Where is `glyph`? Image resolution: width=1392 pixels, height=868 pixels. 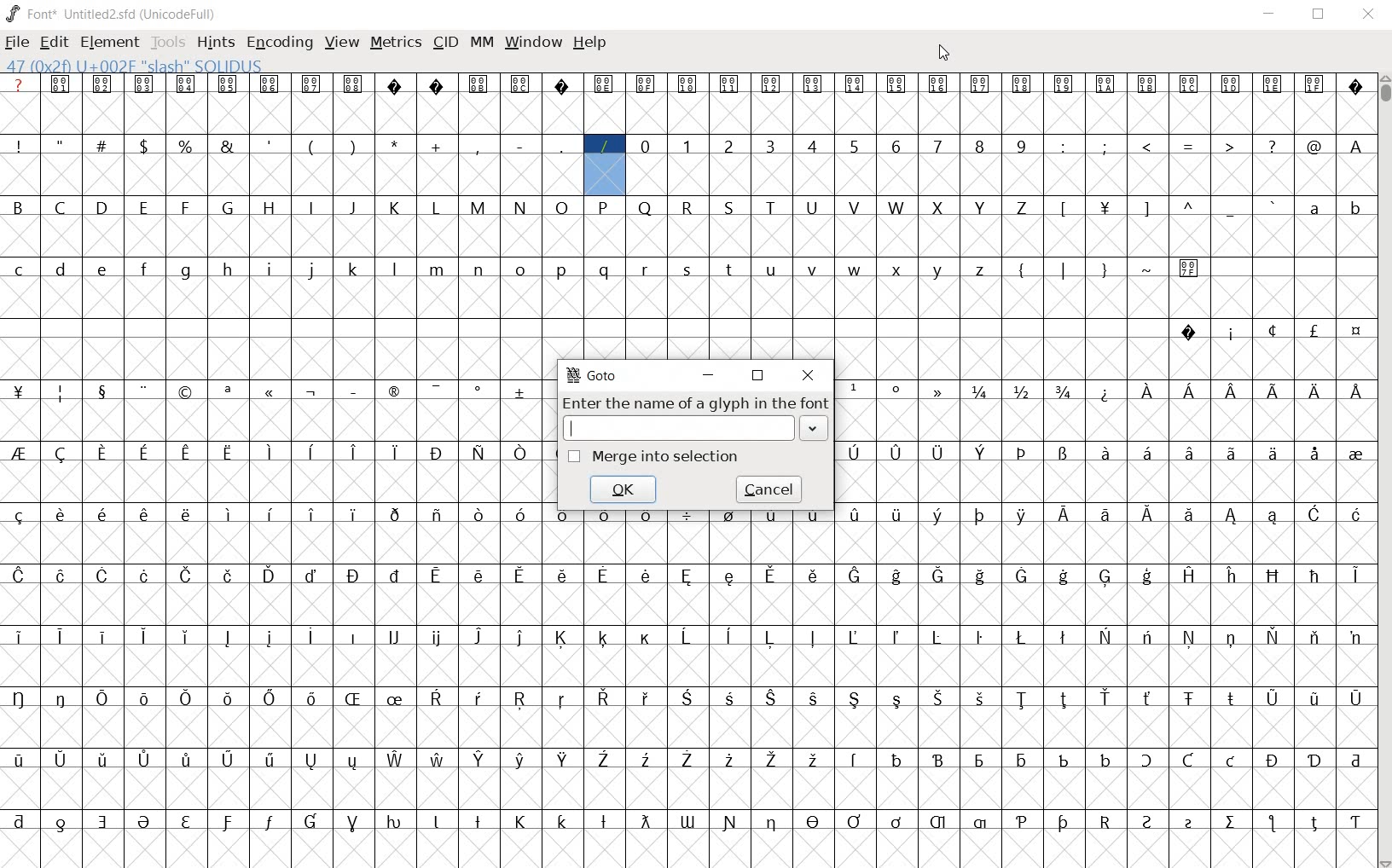
glyph is located at coordinates (435, 391).